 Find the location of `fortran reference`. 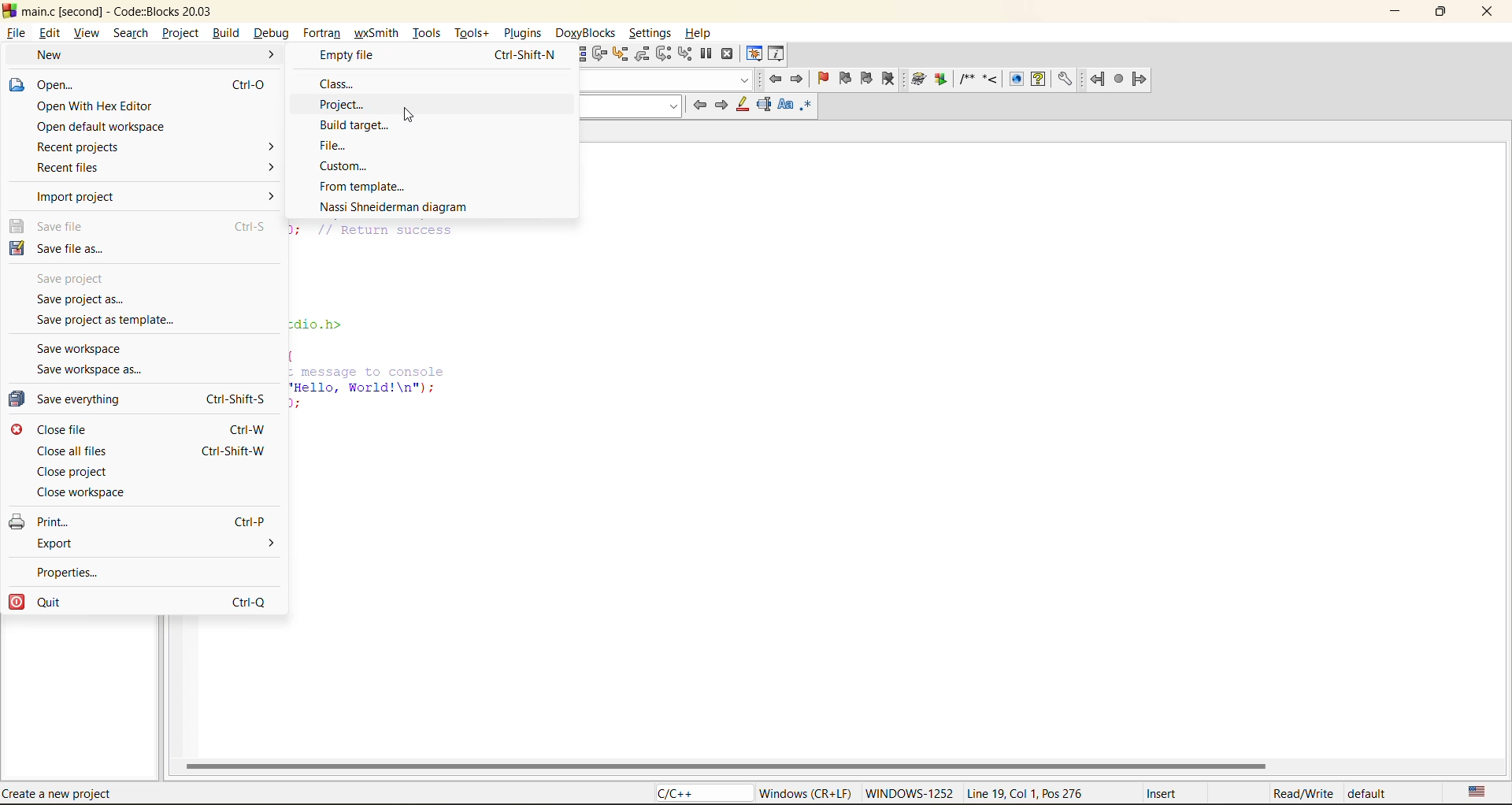

fortran reference is located at coordinates (1123, 80).